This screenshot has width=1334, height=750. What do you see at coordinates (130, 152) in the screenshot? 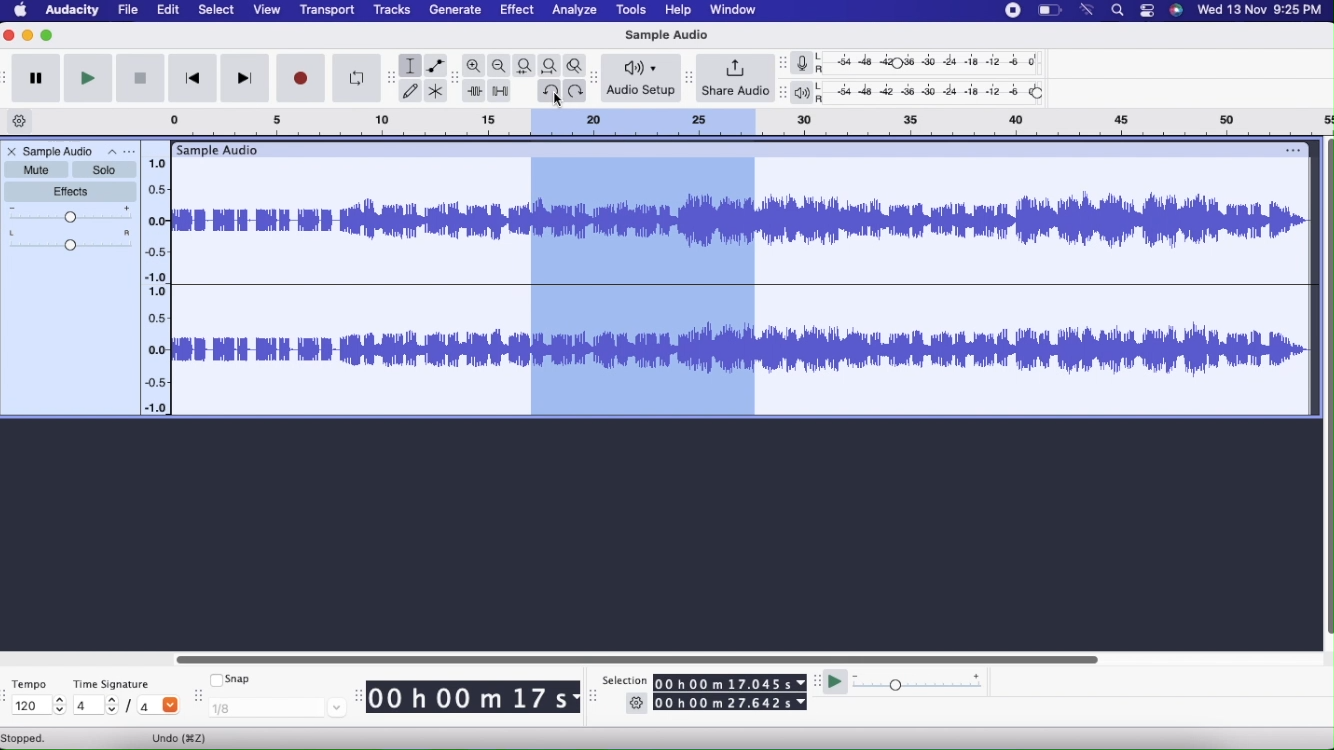
I see `more options` at bounding box center [130, 152].